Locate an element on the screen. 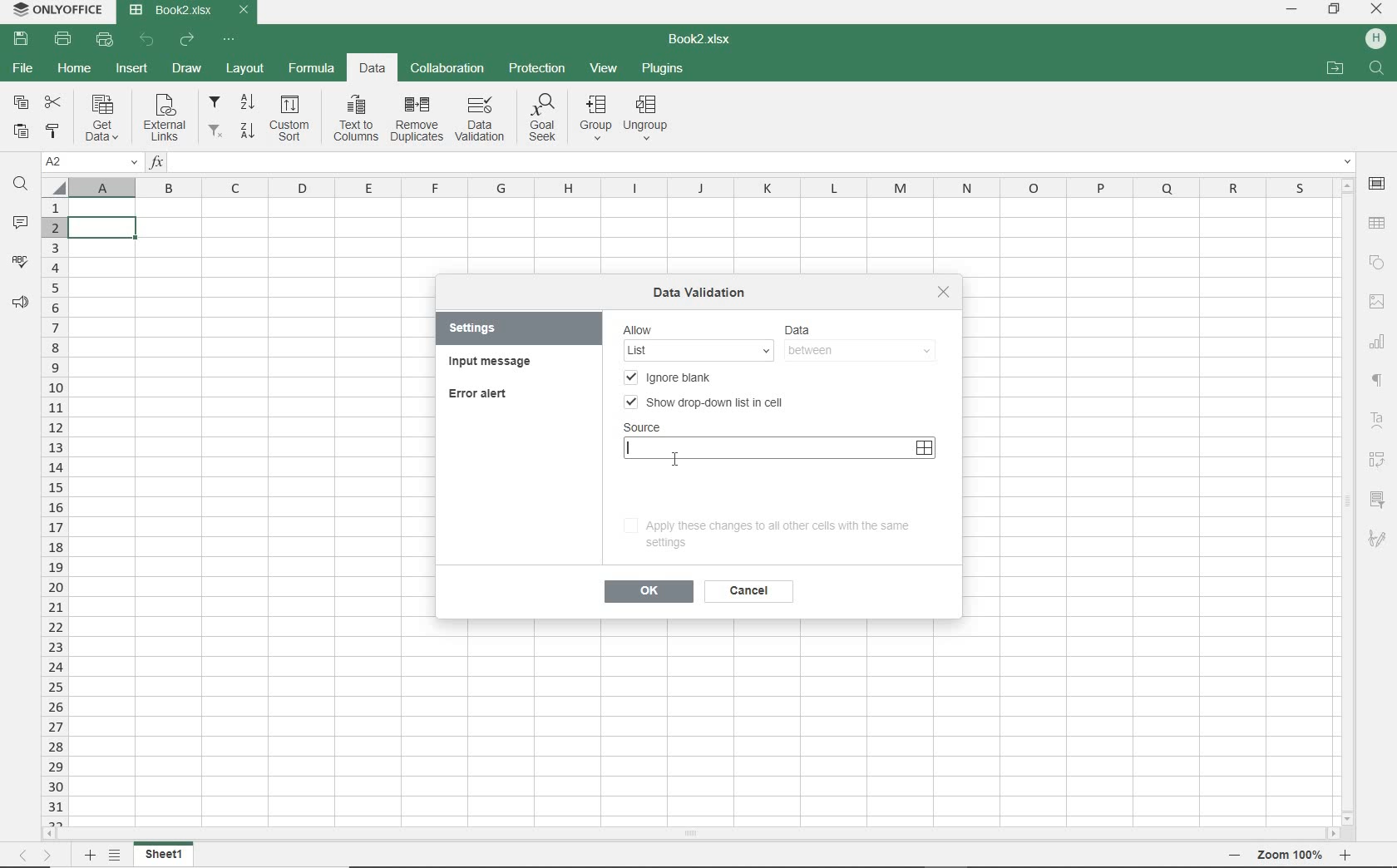 The height and width of the screenshot is (868, 1397). MINIMIZE is located at coordinates (1291, 8).